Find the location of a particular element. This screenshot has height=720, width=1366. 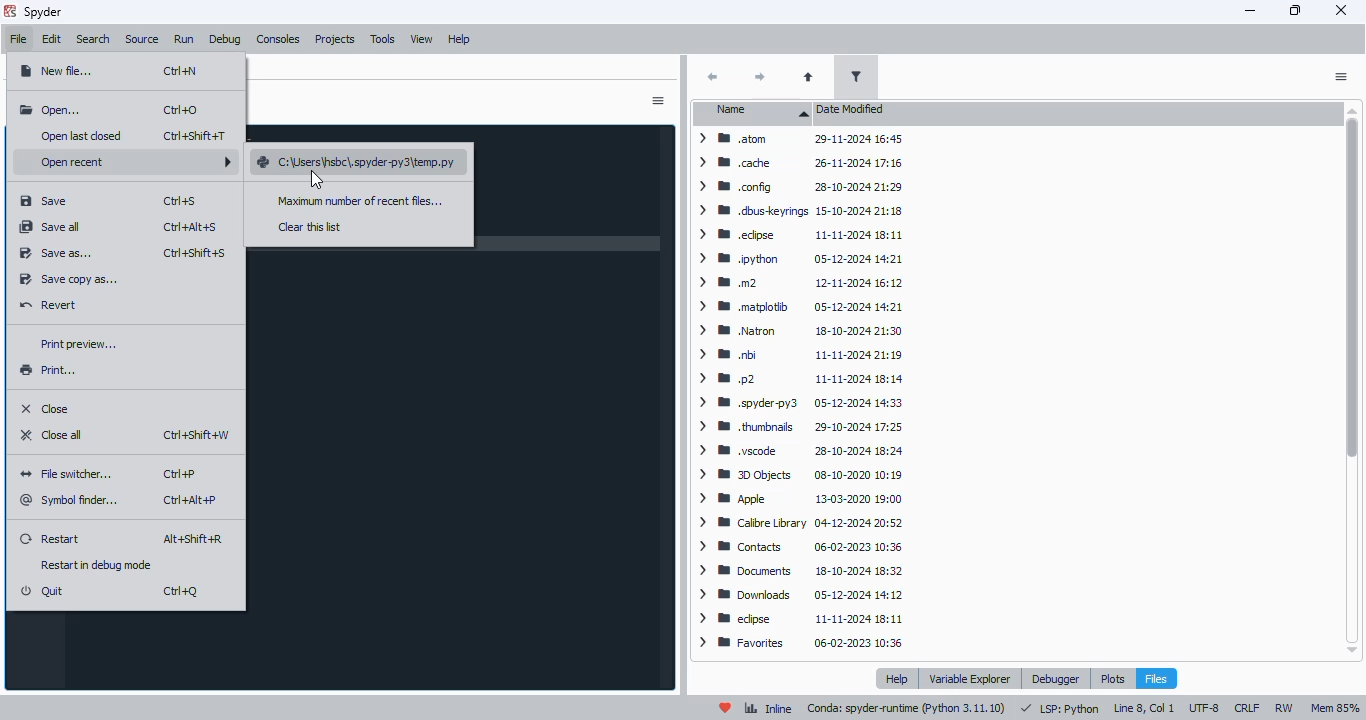

> BB Favorites 06-02-2023 10:36 is located at coordinates (801, 645).